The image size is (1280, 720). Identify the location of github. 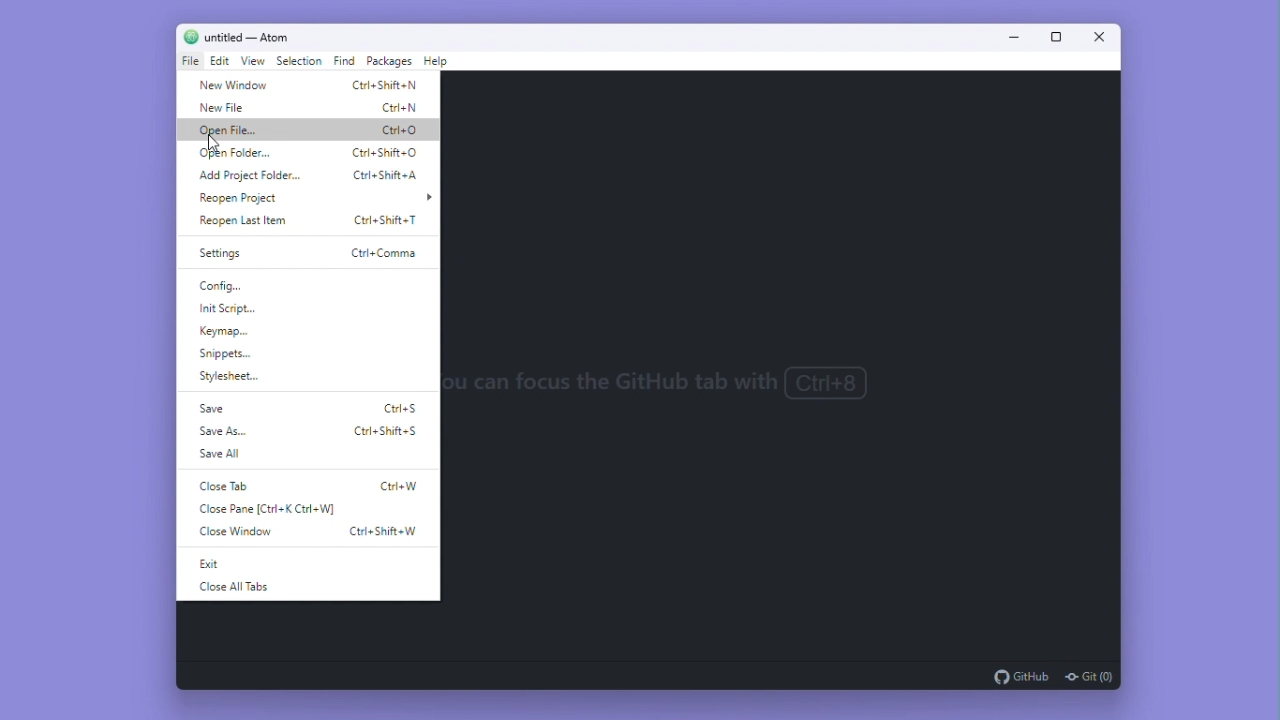
(1021, 676).